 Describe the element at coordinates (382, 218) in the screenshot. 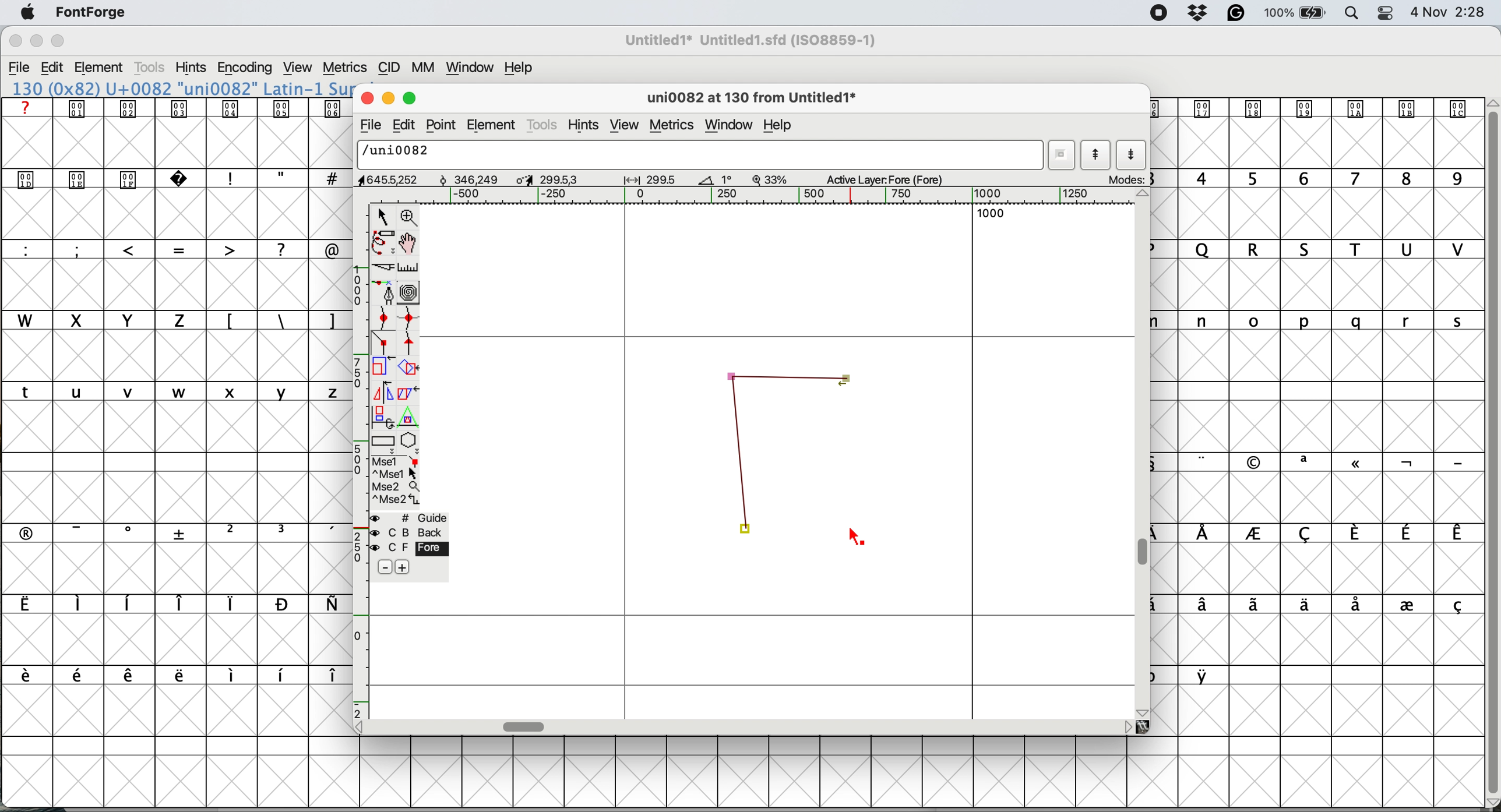

I see `selector` at that location.